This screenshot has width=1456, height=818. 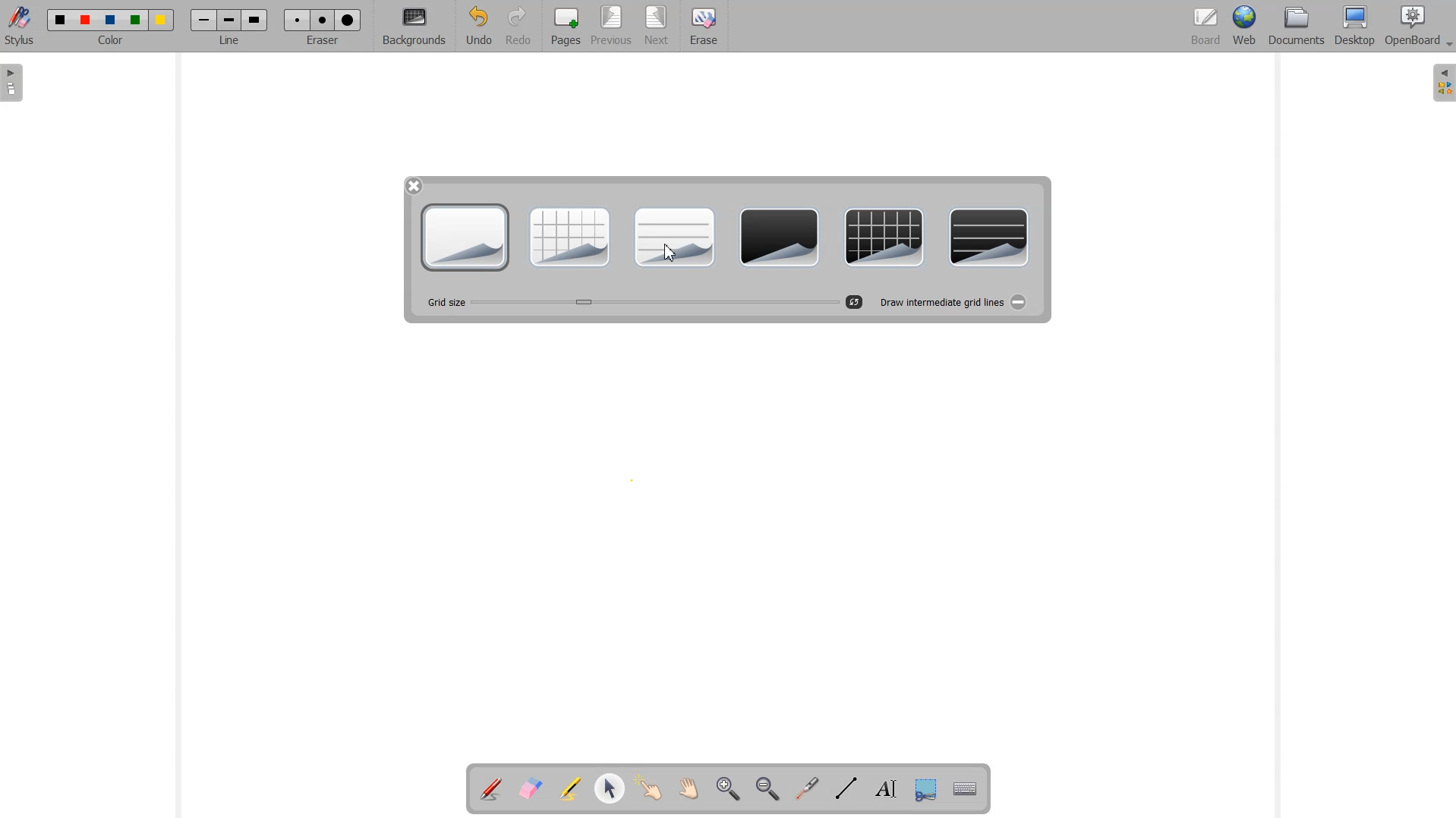 What do you see at coordinates (966, 790) in the screenshot?
I see `Display virtual Keyboard` at bounding box center [966, 790].